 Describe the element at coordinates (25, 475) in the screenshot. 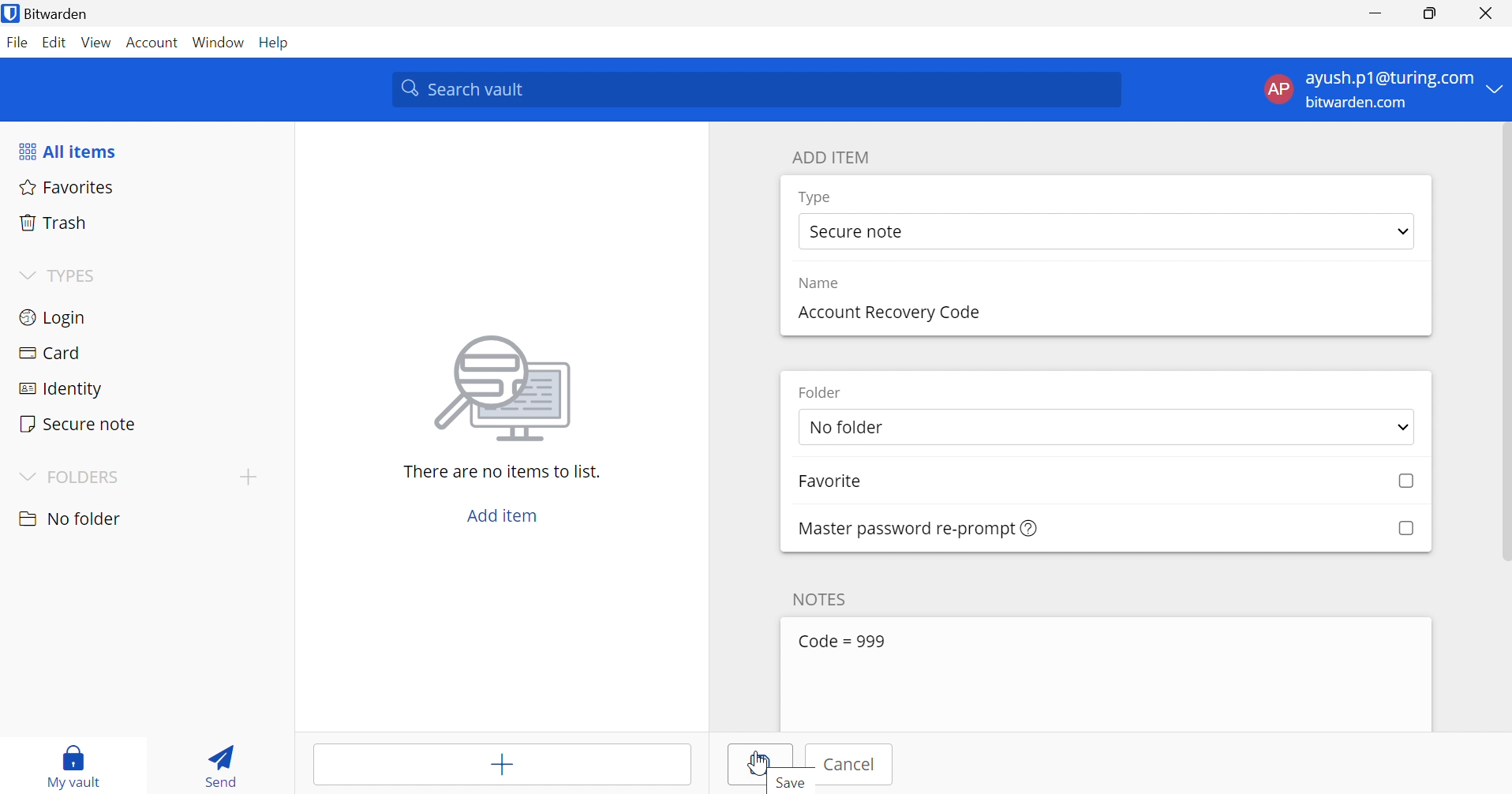

I see `Drop Down` at that location.